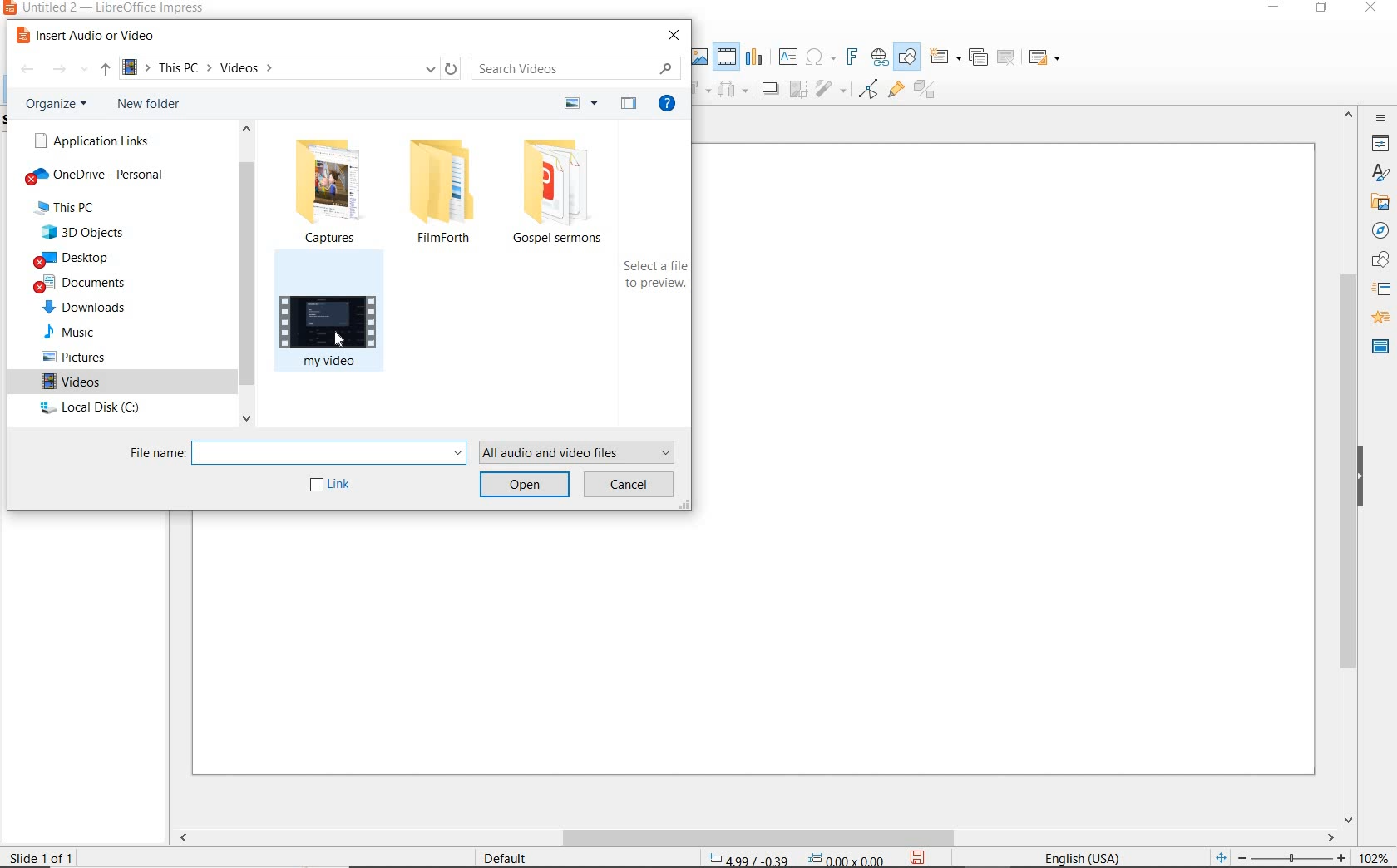  Describe the element at coordinates (1374, 7) in the screenshot. I see `CLOSE` at that location.